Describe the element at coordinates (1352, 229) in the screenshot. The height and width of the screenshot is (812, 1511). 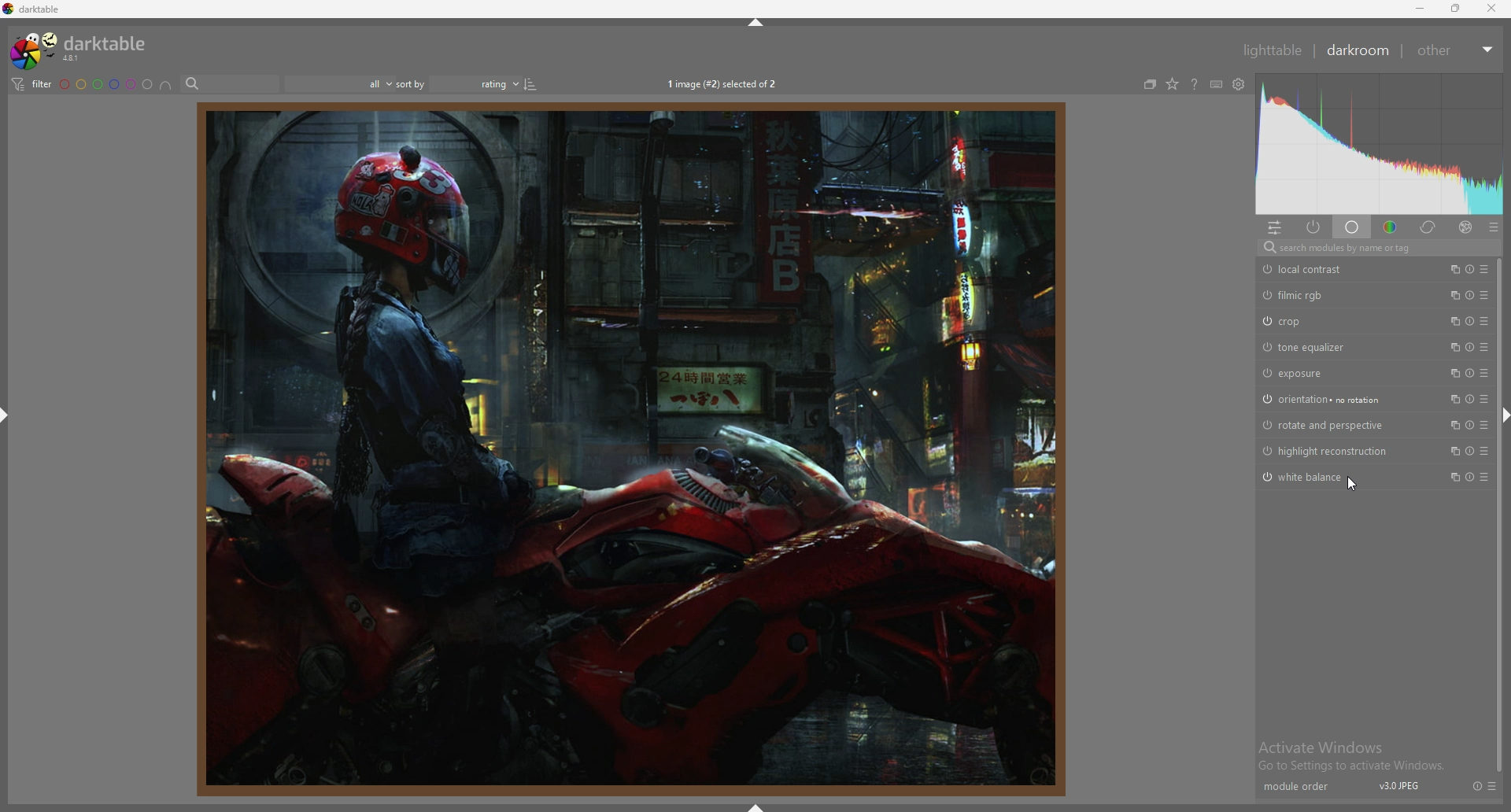
I see `base` at that location.